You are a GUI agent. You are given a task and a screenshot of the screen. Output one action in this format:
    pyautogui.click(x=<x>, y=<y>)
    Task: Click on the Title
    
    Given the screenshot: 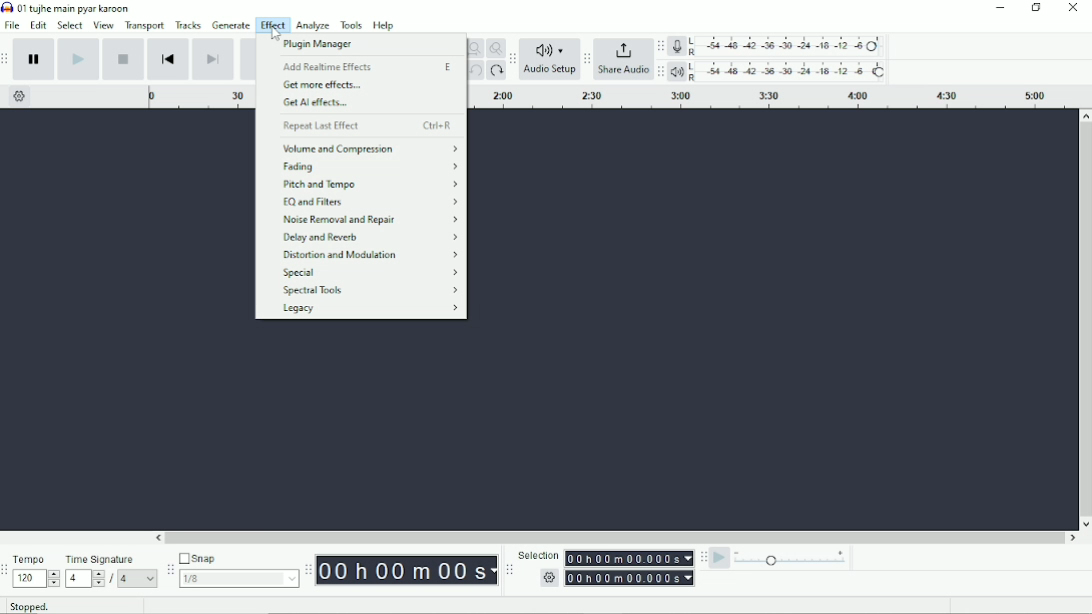 What is the action you would take?
    pyautogui.click(x=71, y=7)
    